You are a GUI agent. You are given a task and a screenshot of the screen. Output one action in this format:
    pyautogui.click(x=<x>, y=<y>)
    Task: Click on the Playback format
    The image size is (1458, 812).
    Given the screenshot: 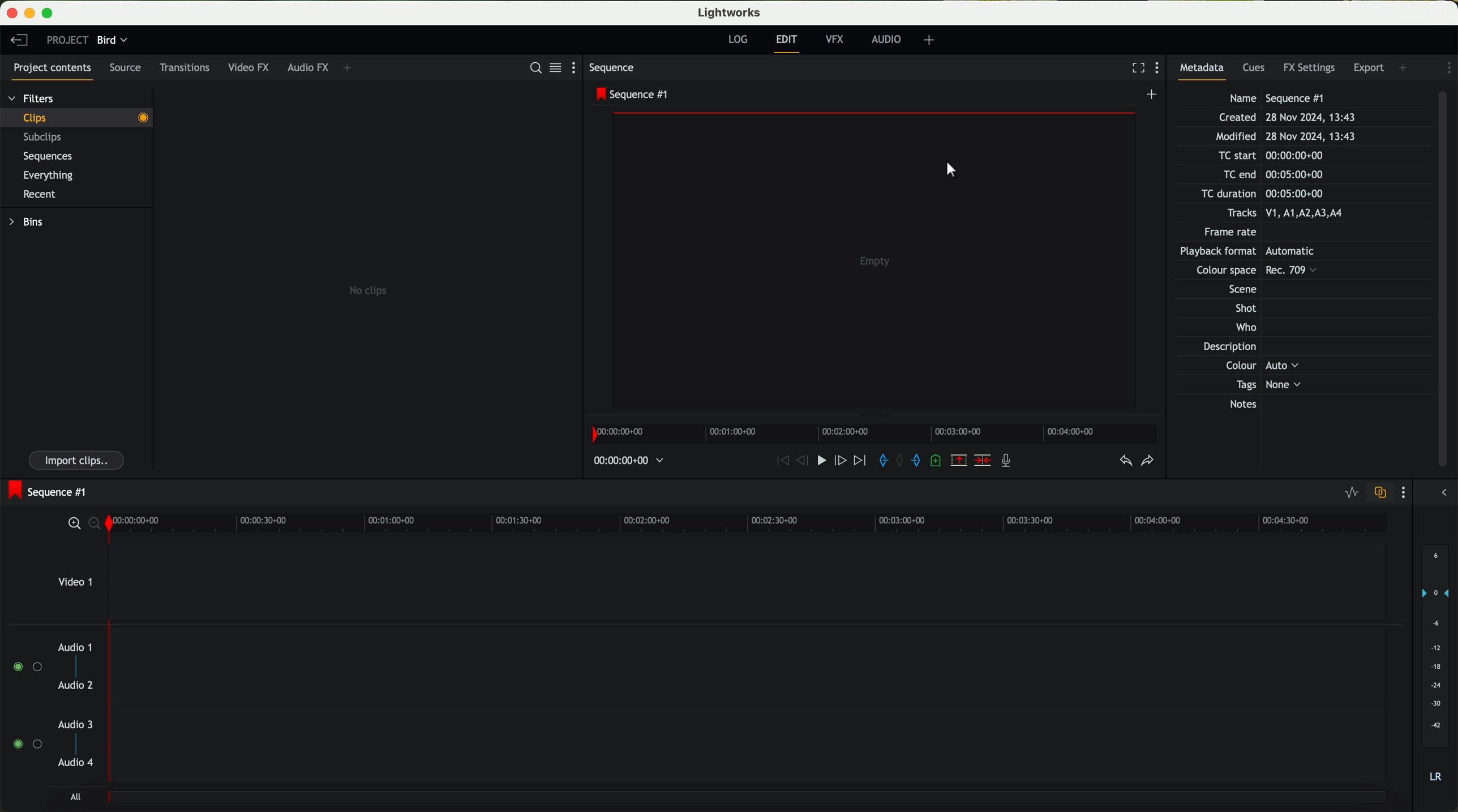 What is the action you would take?
    pyautogui.click(x=1263, y=250)
    